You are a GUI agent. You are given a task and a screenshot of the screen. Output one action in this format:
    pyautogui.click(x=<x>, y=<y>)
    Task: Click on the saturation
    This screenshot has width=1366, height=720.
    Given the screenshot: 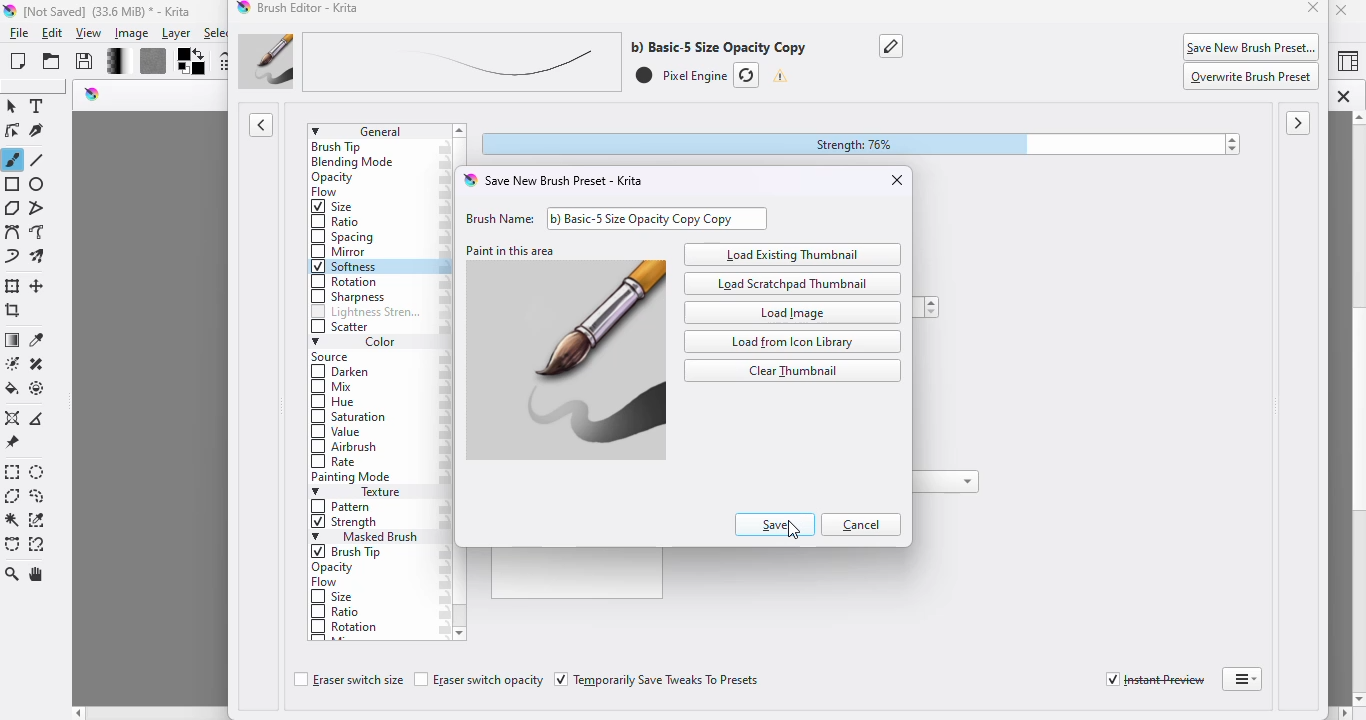 What is the action you would take?
    pyautogui.click(x=350, y=418)
    